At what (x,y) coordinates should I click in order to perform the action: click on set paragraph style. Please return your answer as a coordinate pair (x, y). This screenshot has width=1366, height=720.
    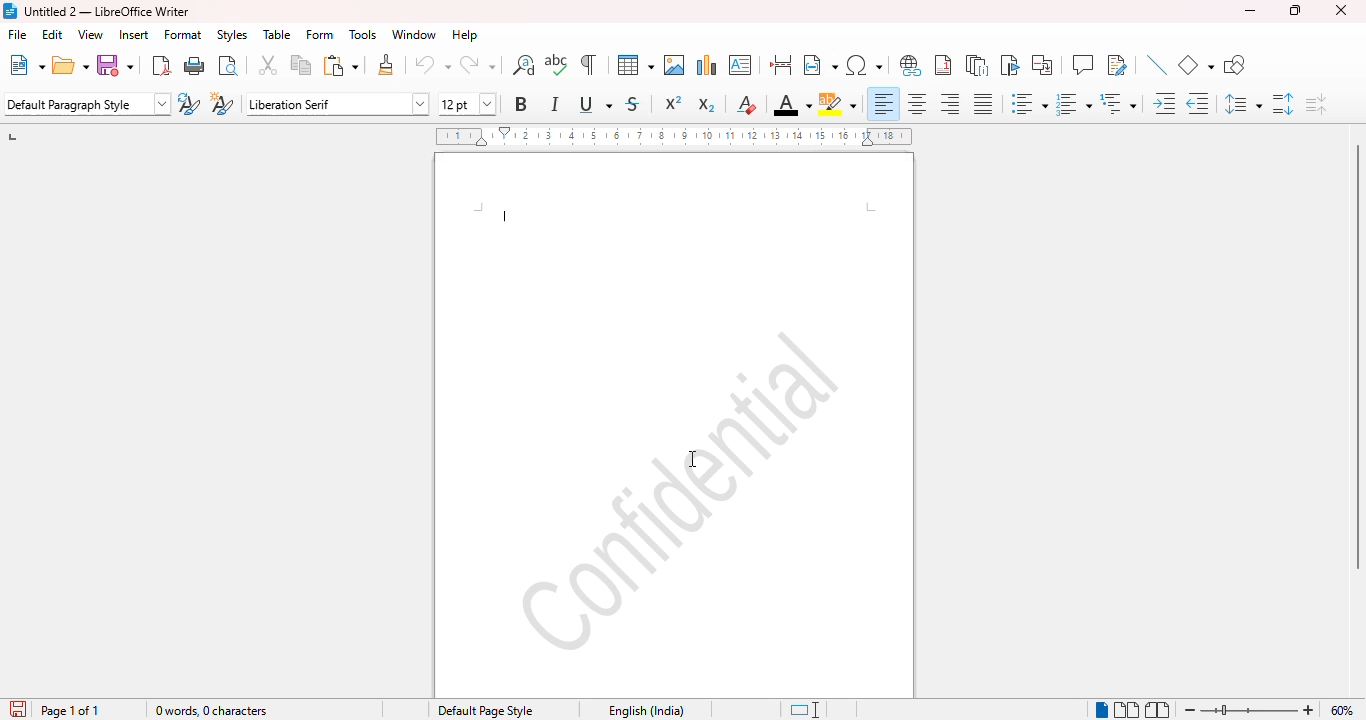
    Looking at the image, I should click on (87, 104).